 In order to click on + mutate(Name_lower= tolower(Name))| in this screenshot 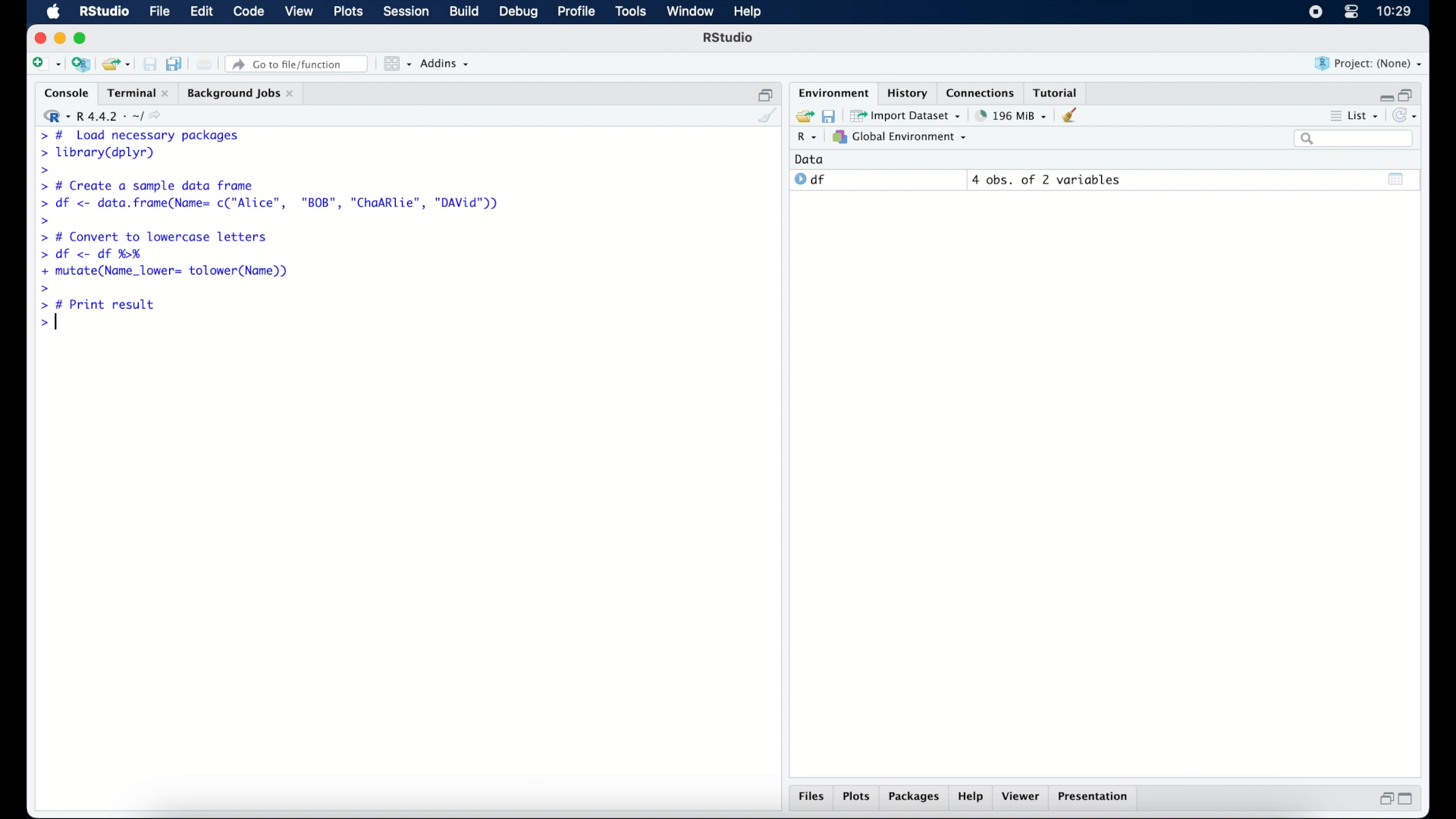, I will do `click(168, 271)`.